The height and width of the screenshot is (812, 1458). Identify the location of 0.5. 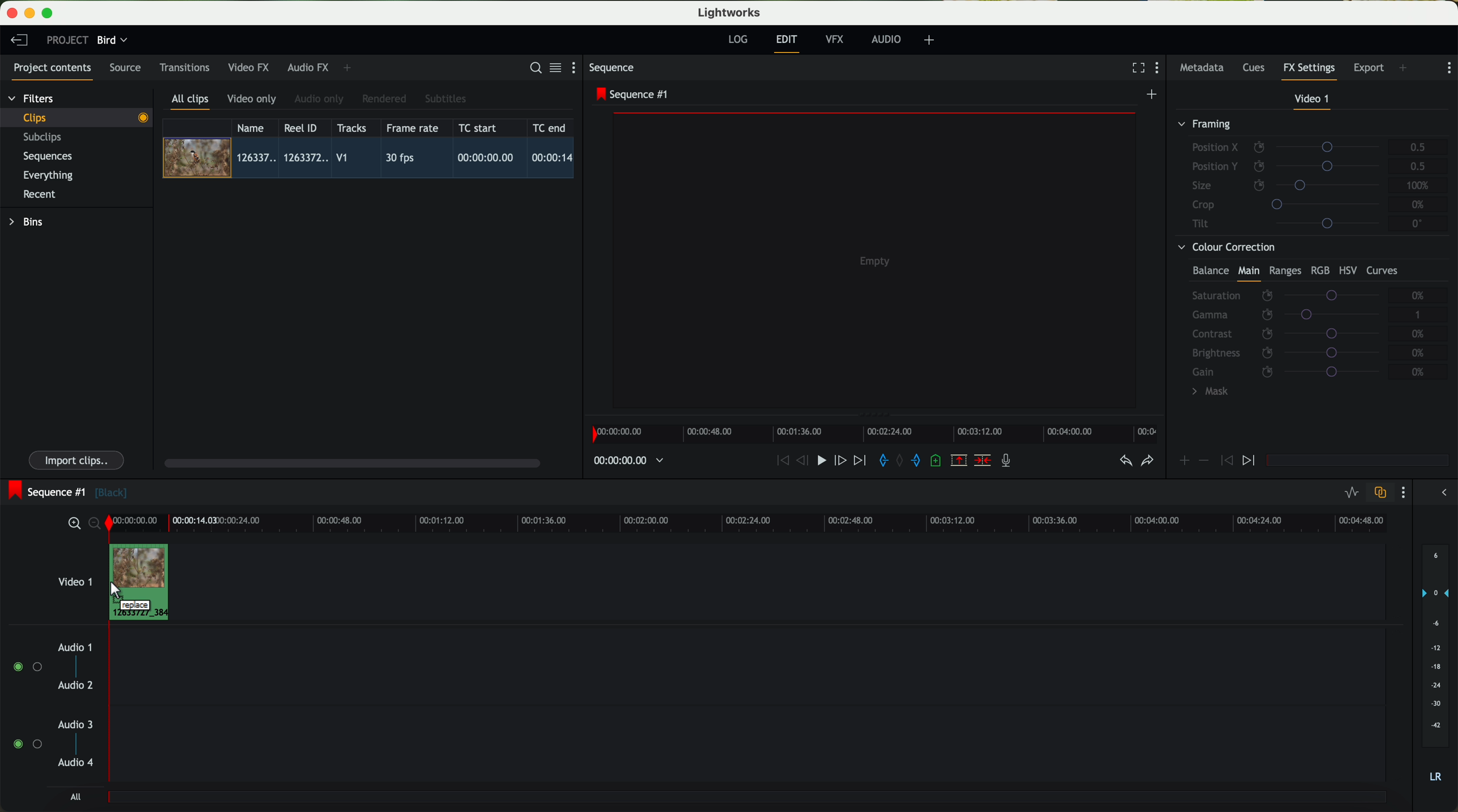
(1418, 148).